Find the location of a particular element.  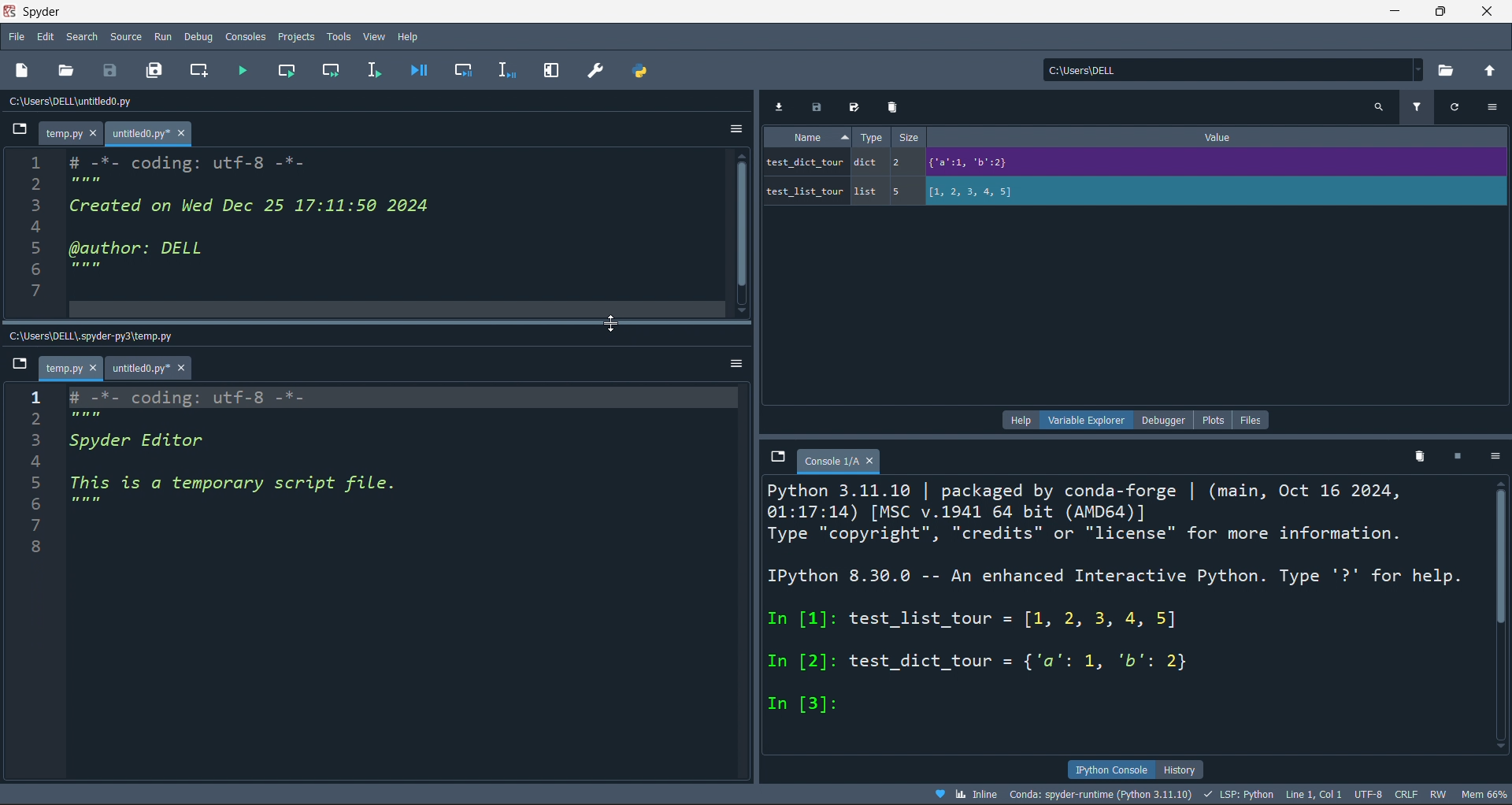

Conda: spyder runtime (Python 3.11.10) is located at coordinates (1108, 794).